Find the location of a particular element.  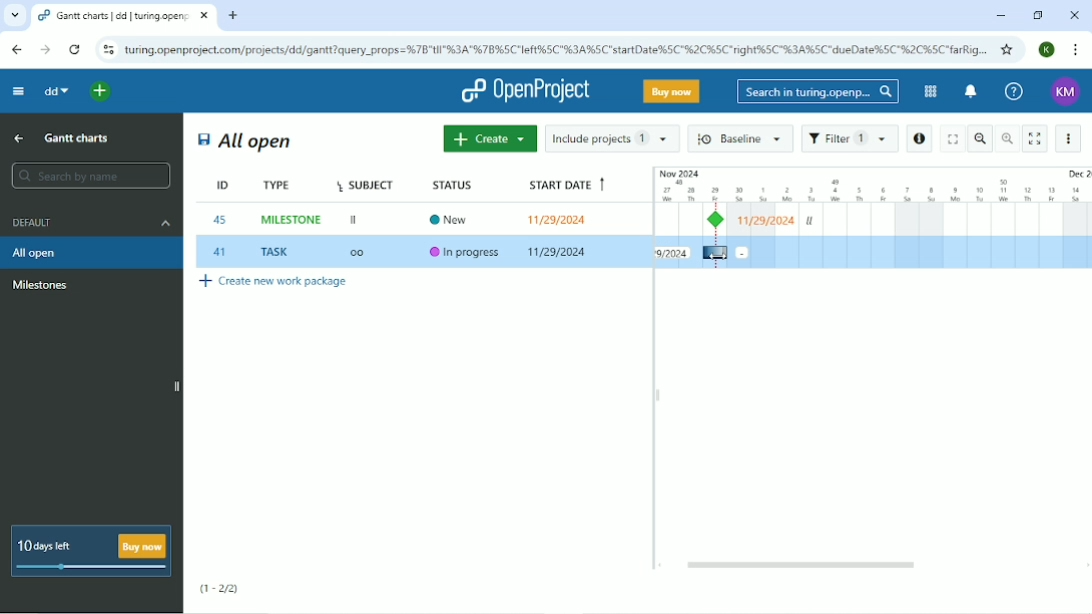

Fullscreen is located at coordinates (951, 138).